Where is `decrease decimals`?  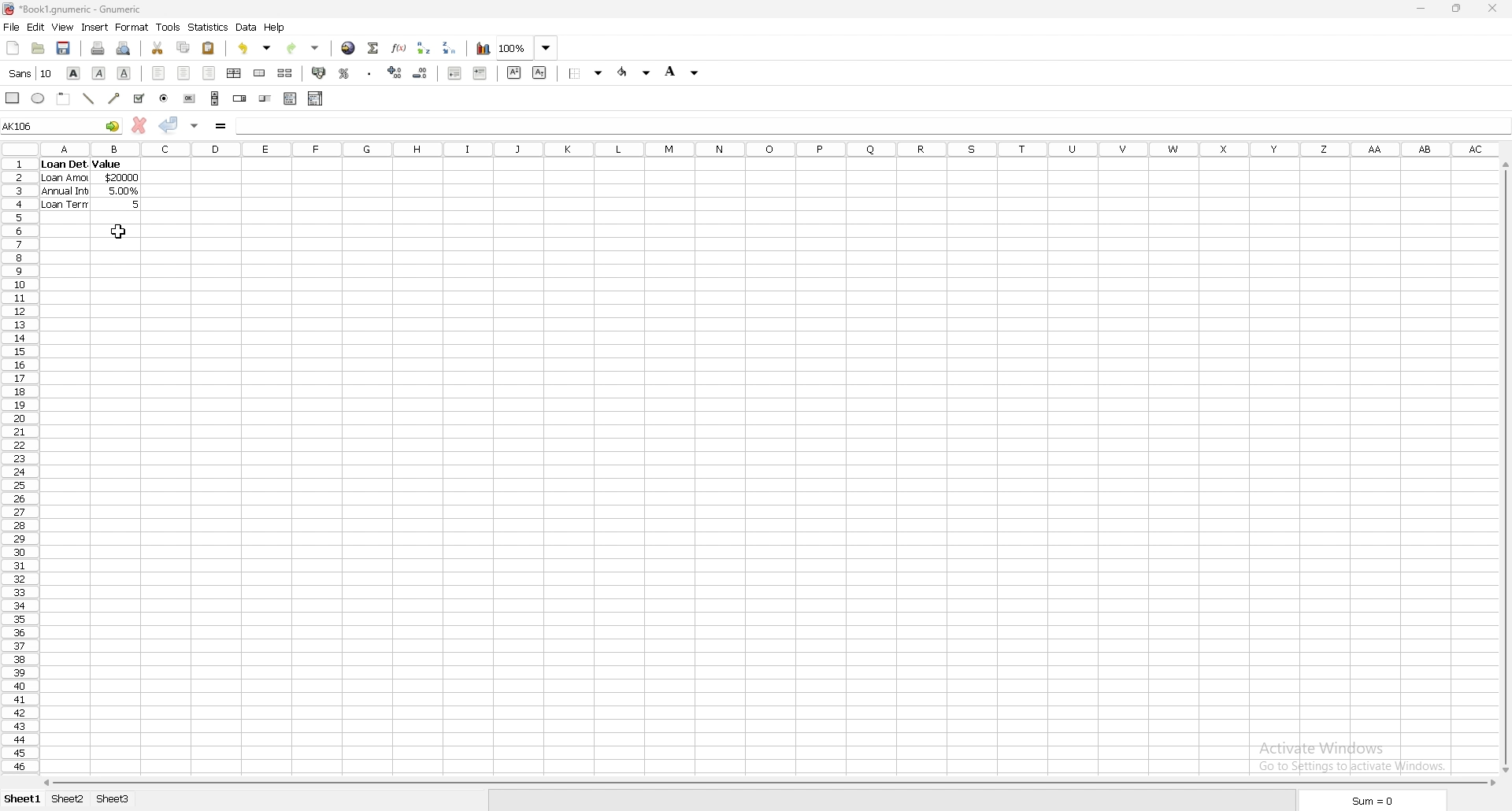 decrease decimals is located at coordinates (421, 73).